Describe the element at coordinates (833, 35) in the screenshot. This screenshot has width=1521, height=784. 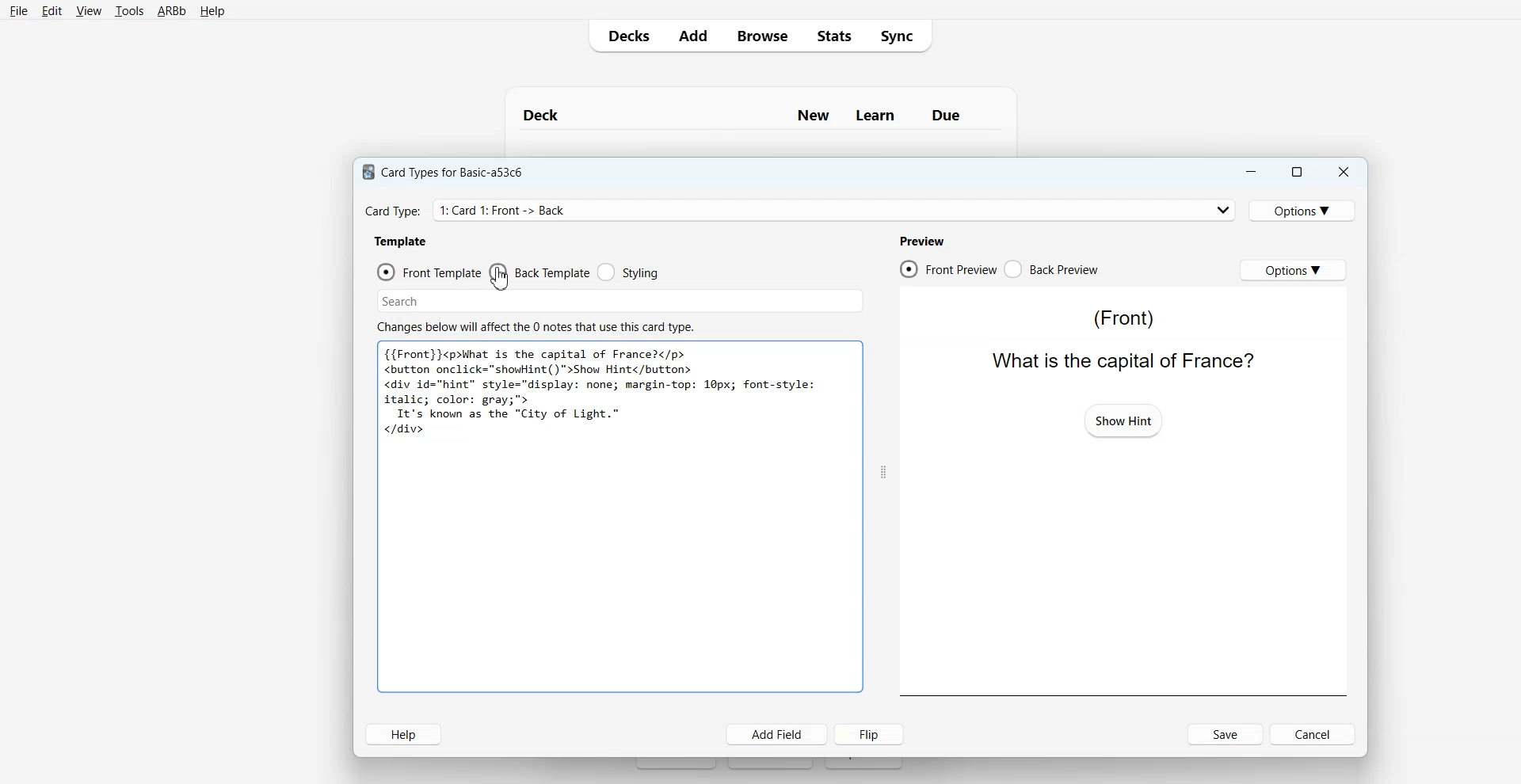
I see `Stats` at that location.